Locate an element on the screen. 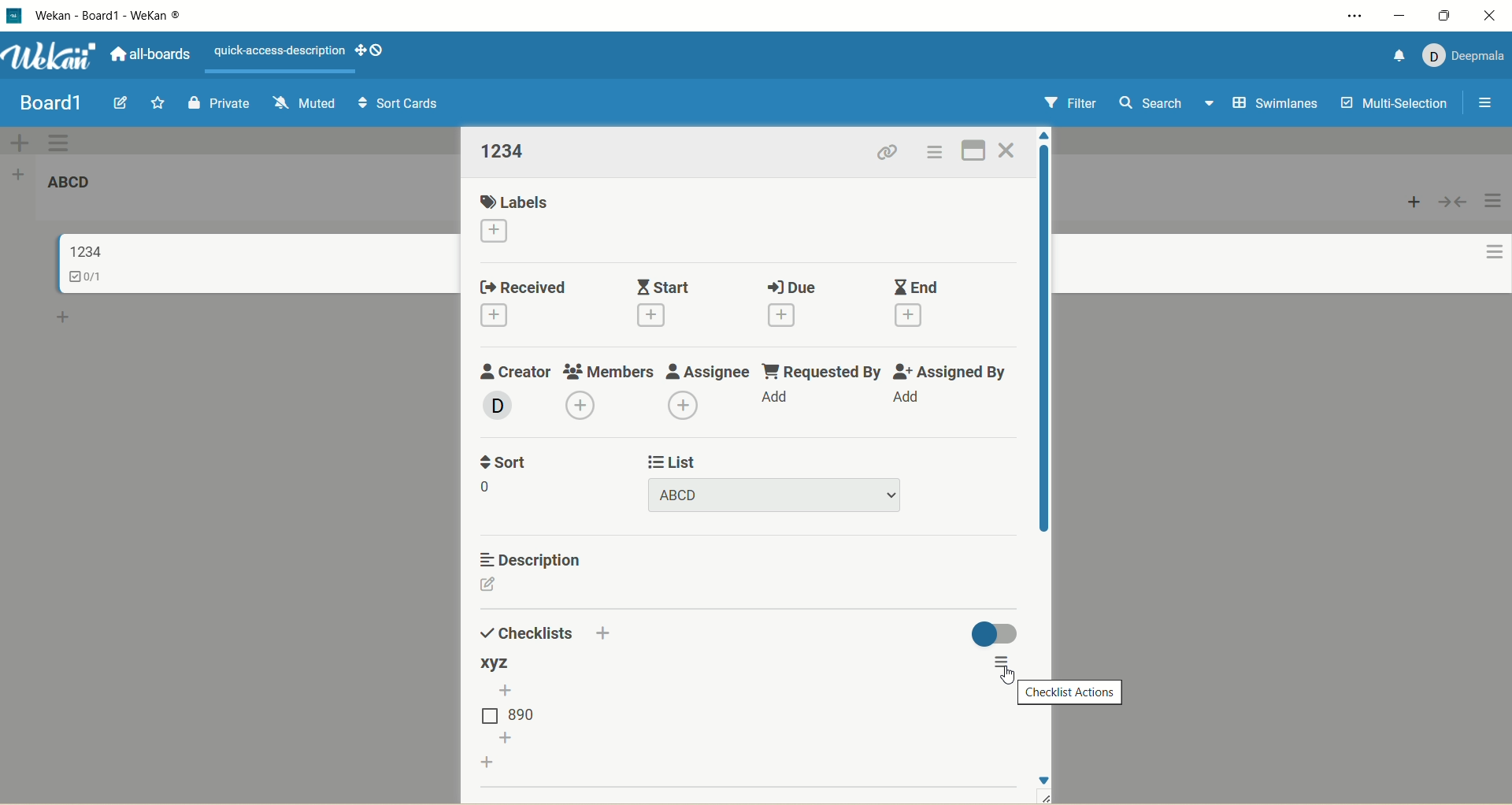  add card is located at coordinates (63, 315).